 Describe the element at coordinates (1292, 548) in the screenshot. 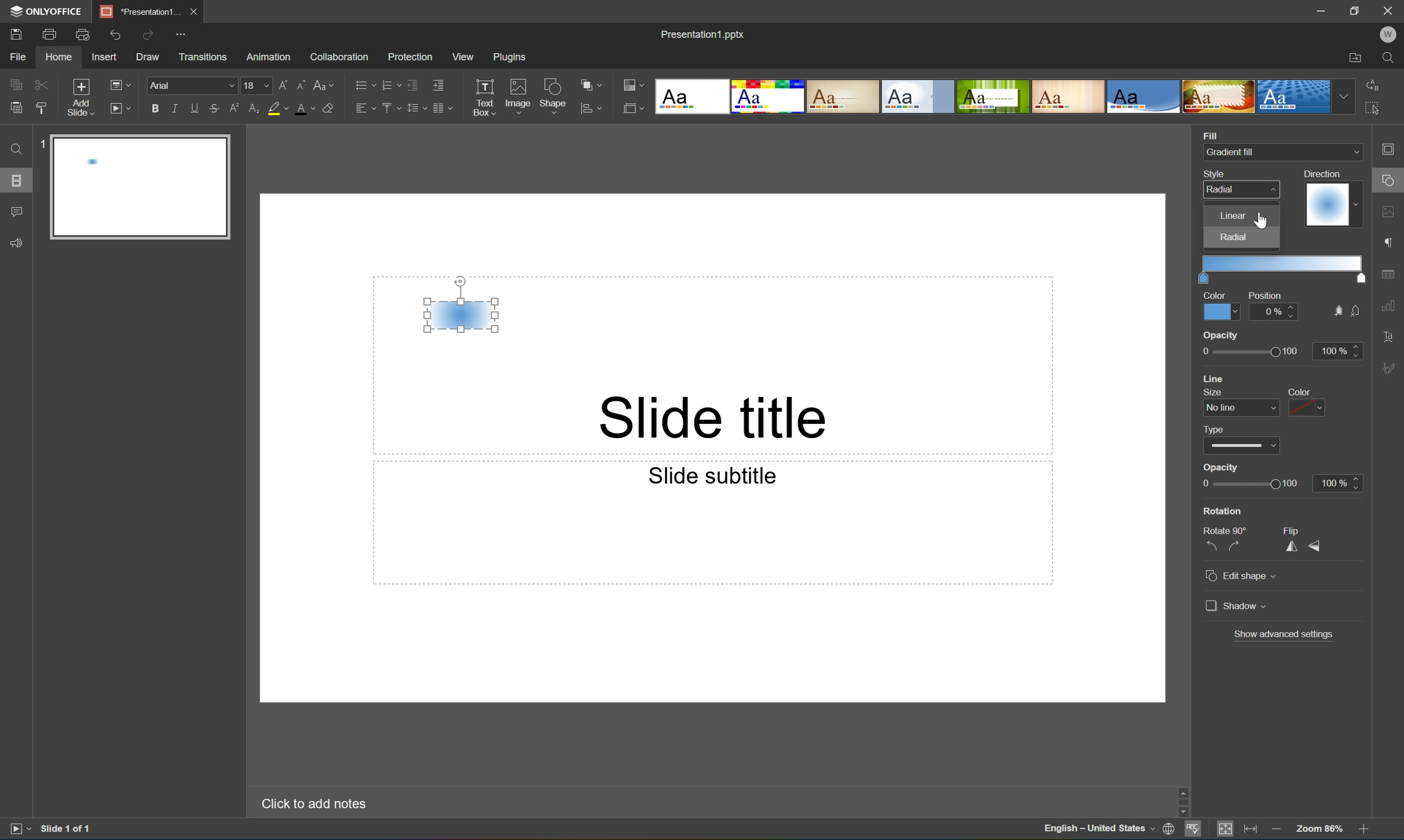

I see `Flip horizontally` at that location.